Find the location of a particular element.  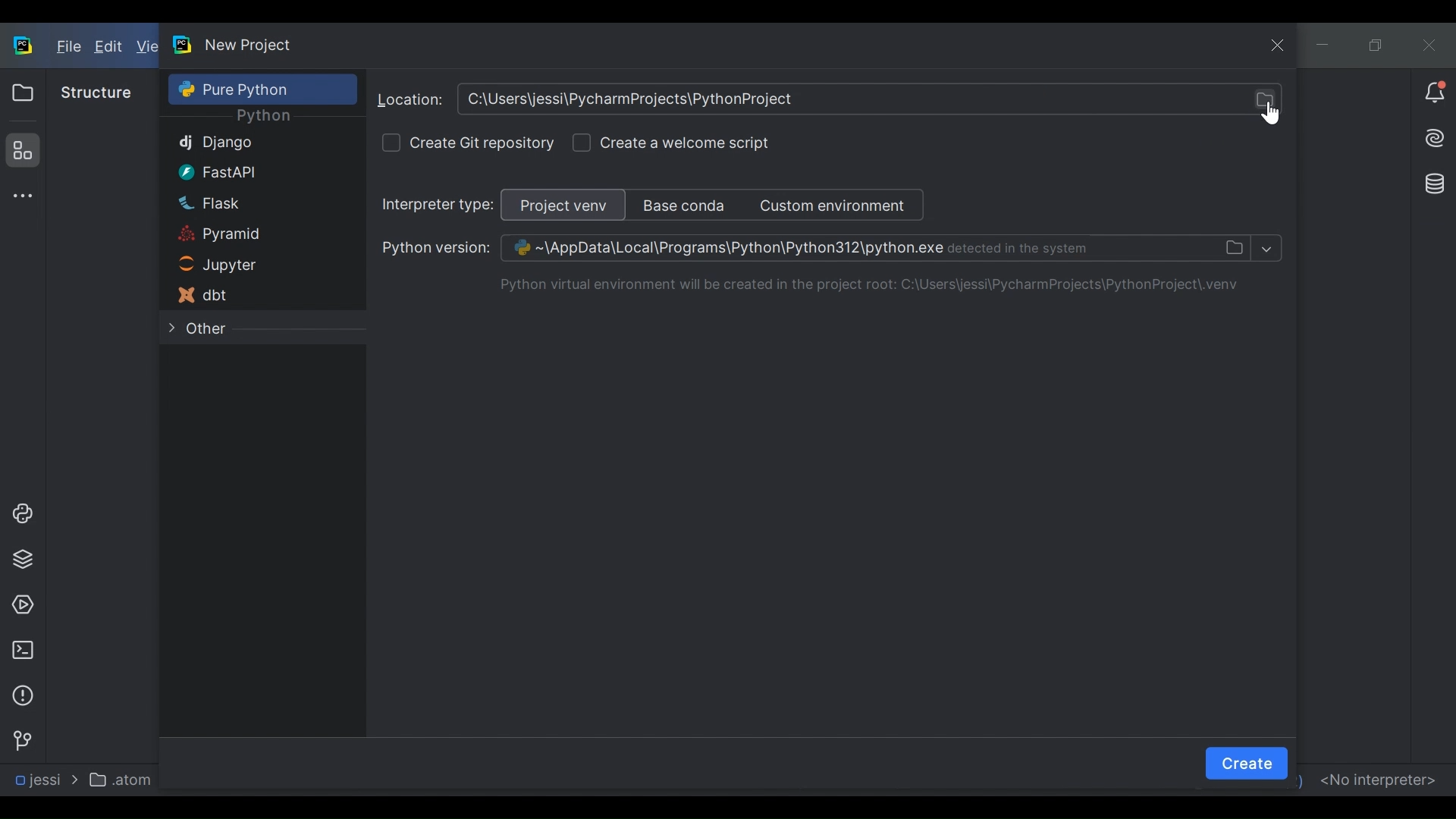

Edit is located at coordinates (110, 48).